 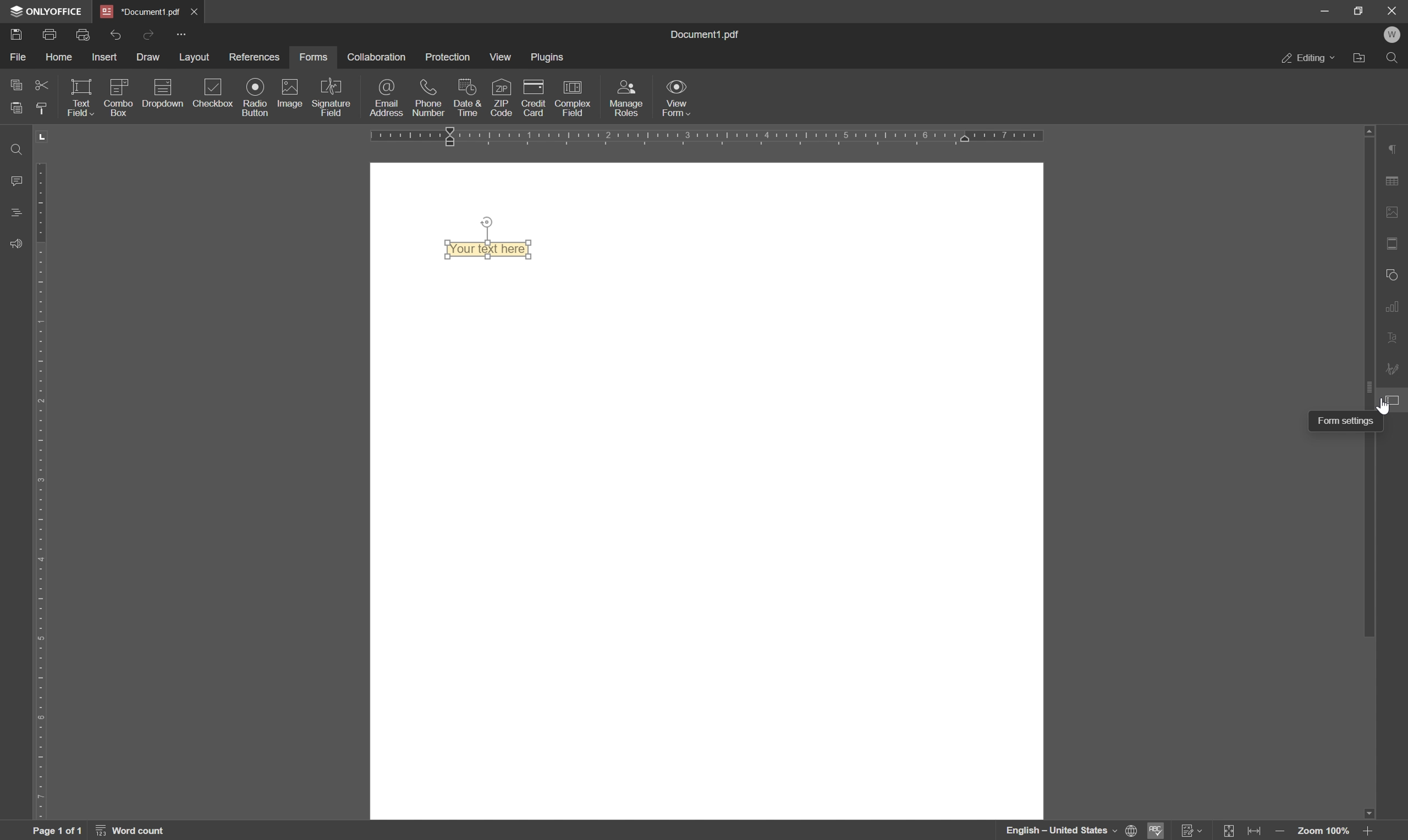 I want to click on forms, so click(x=314, y=57).